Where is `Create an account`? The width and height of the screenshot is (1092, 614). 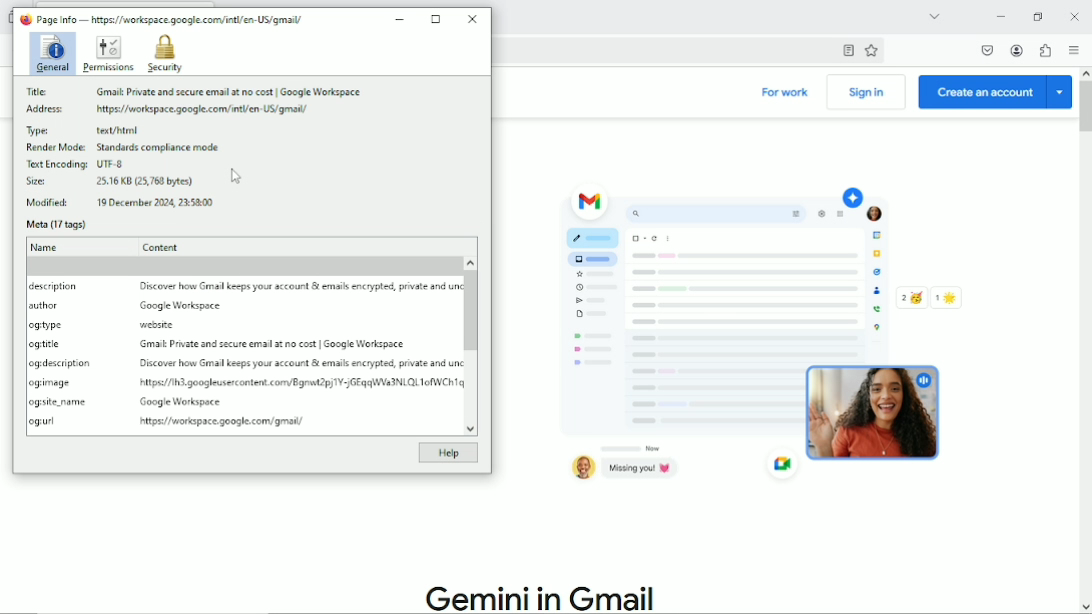
Create an account is located at coordinates (996, 91).